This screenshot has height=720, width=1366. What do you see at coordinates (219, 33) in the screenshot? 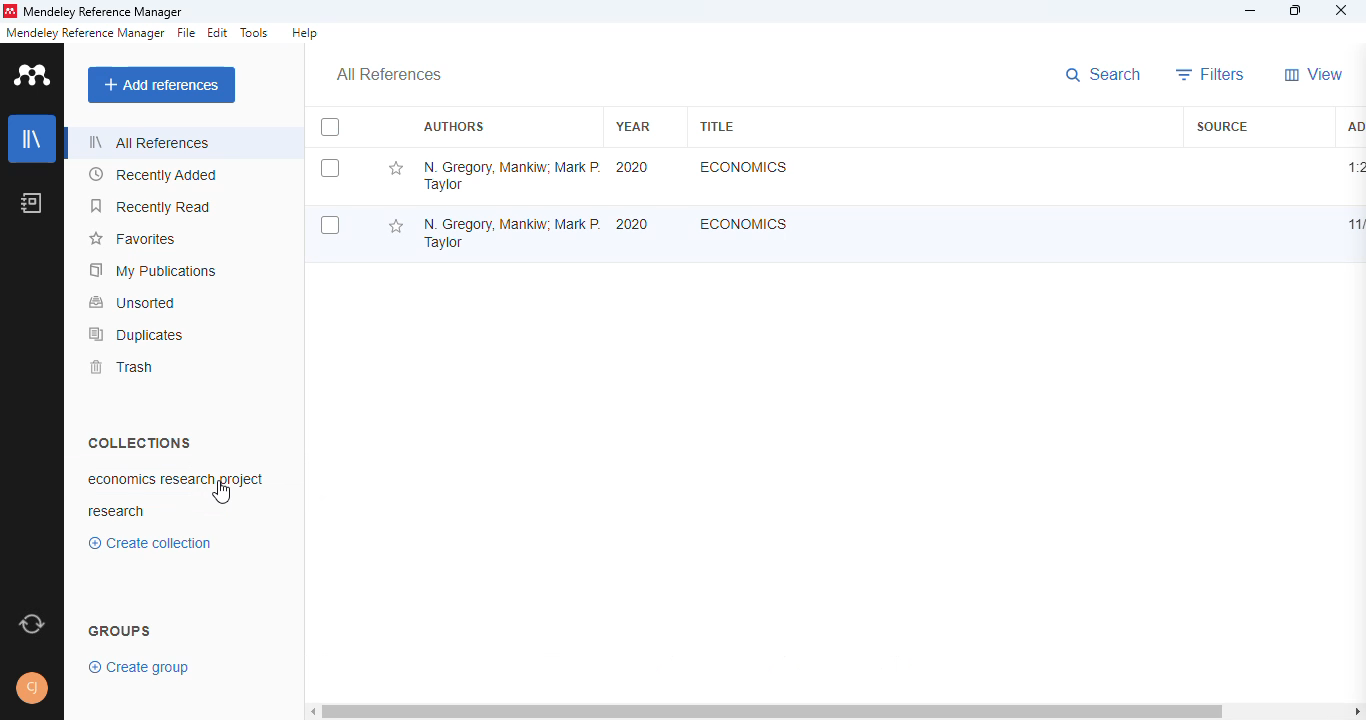
I see `edit` at bounding box center [219, 33].